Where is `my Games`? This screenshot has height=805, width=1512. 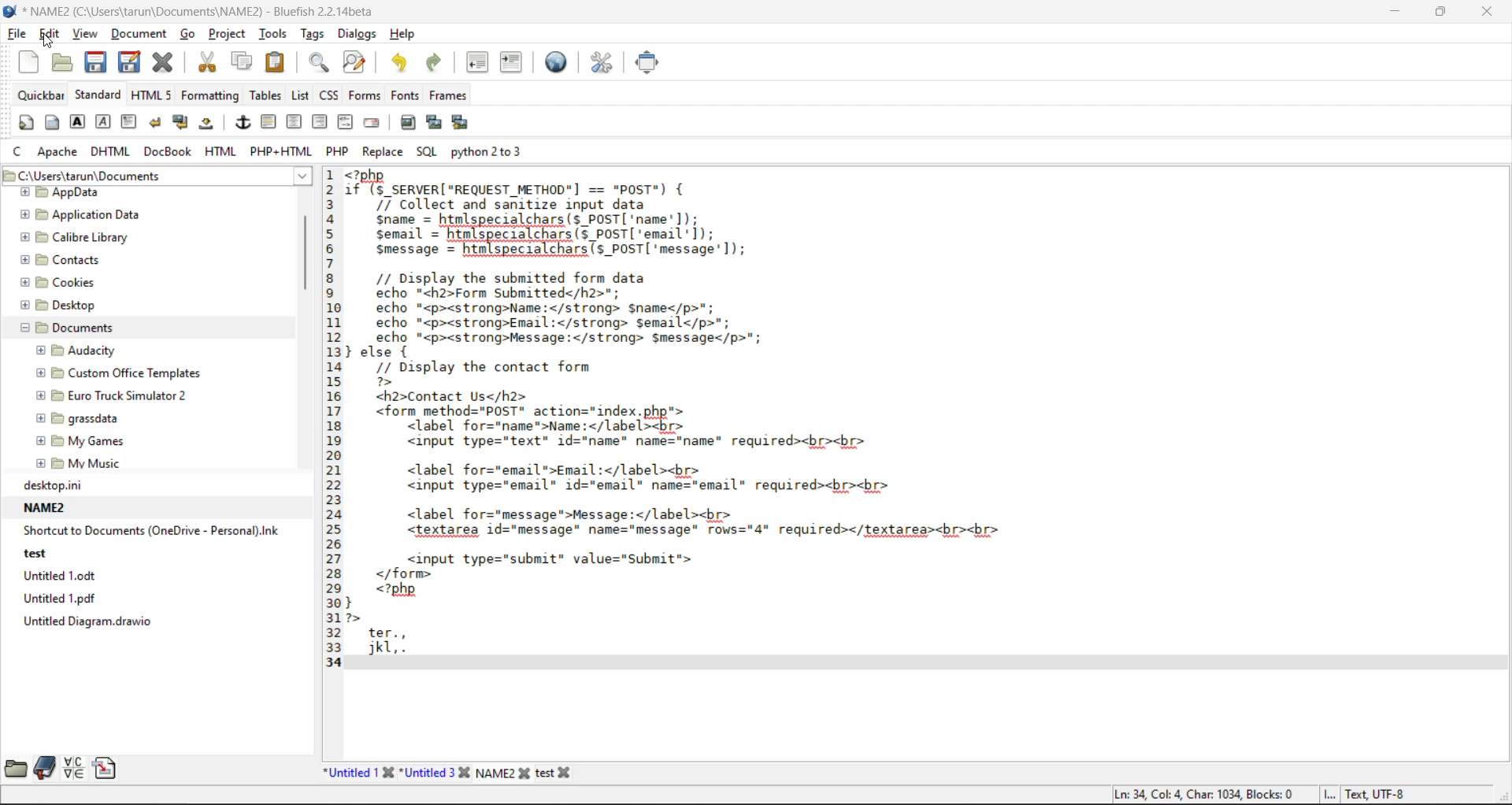 my Games is located at coordinates (81, 442).